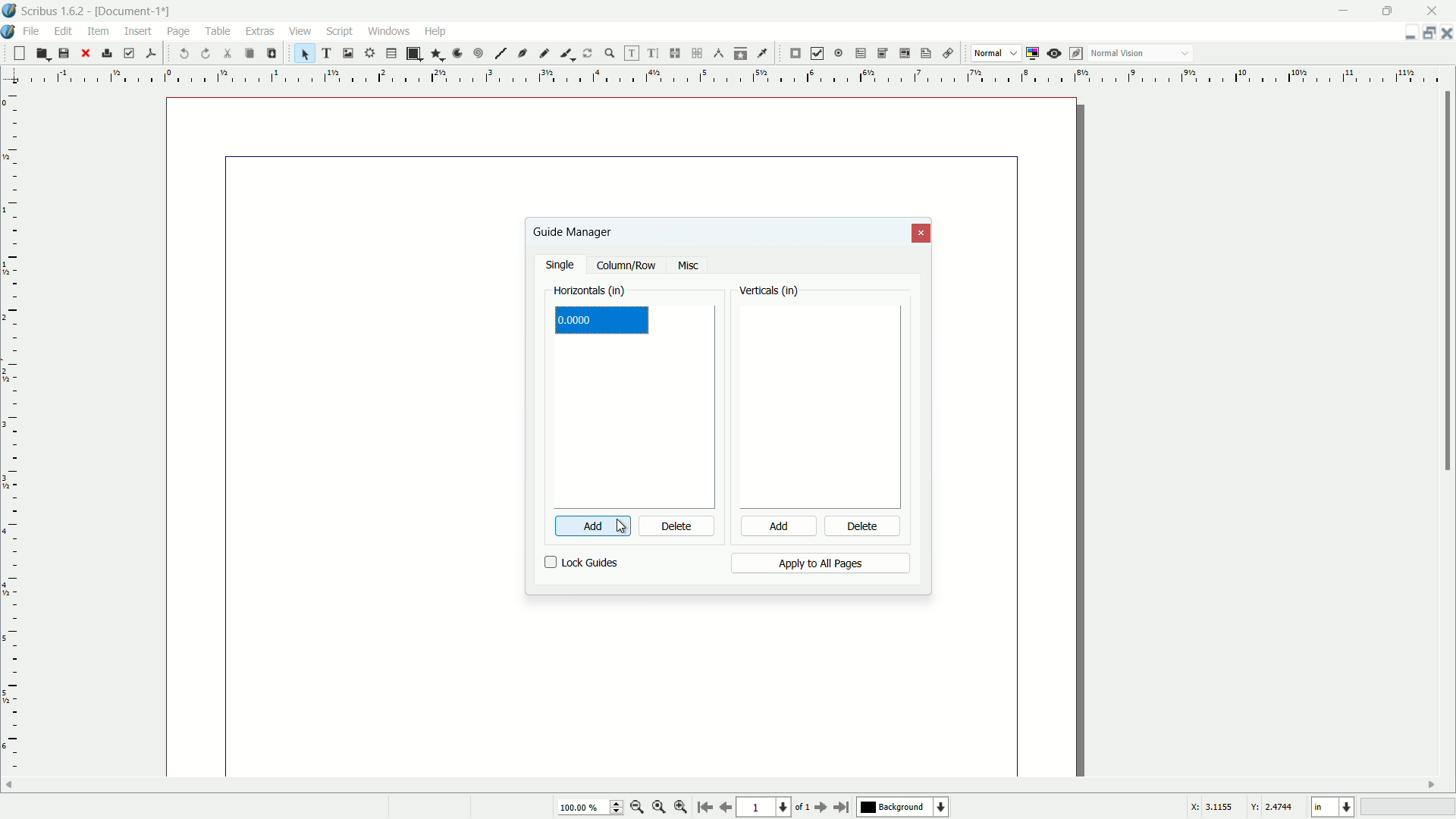  What do you see at coordinates (1345, 10) in the screenshot?
I see `minimize` at bounding box center [1345, 10].